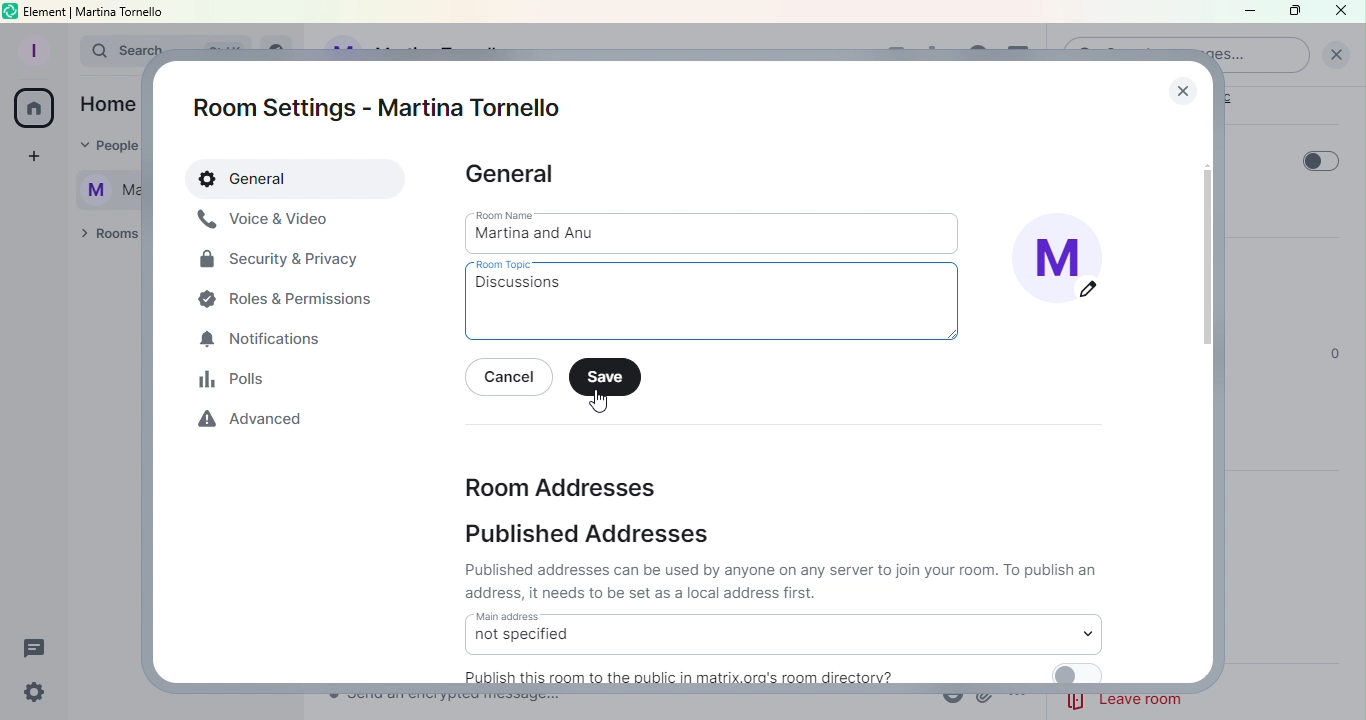  What do you see at coordinates (715, 232) in the screenshot?
I see `Room name` at bounding box center [715, 232].